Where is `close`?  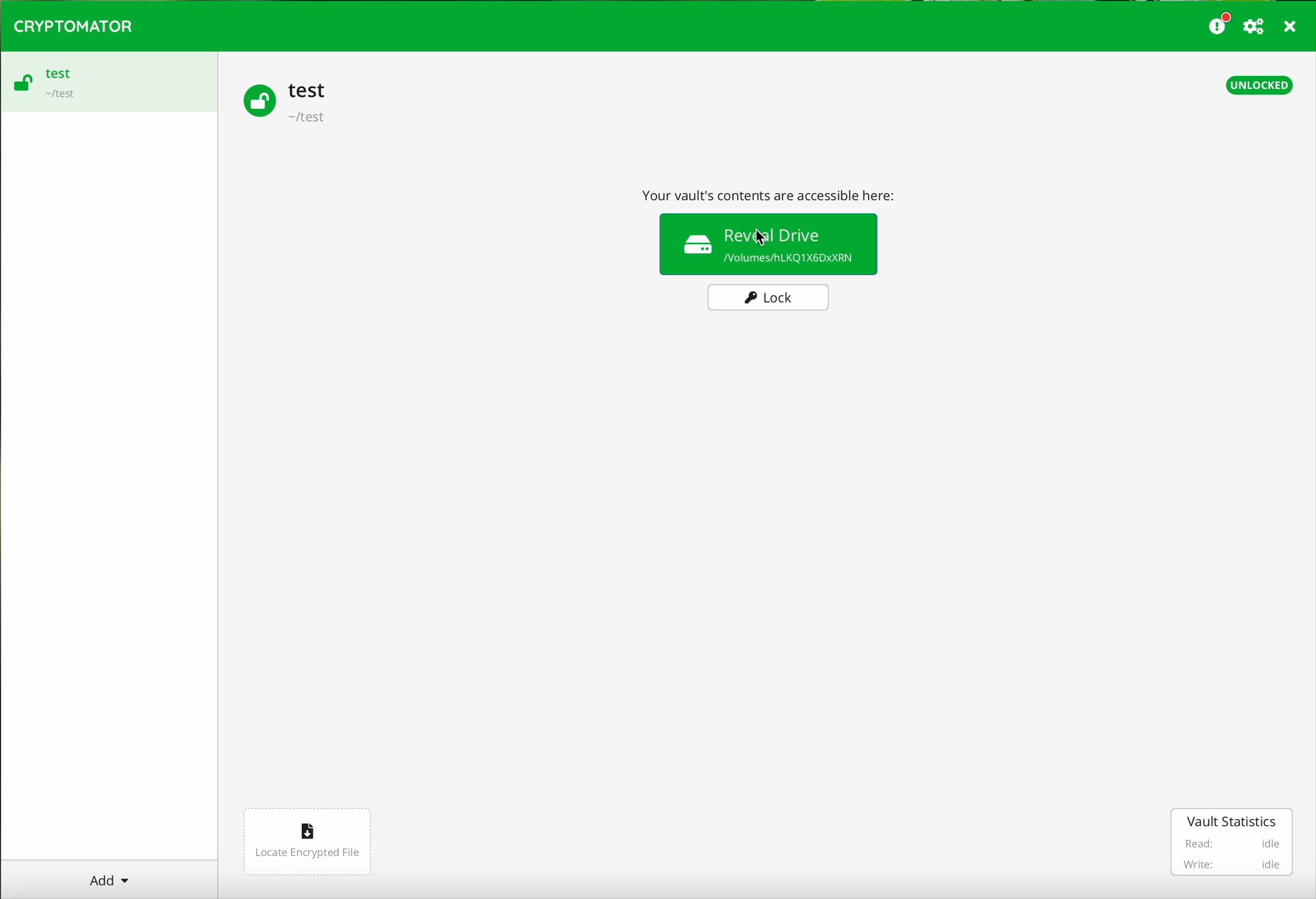 close is located at coordinates (1291, 28).